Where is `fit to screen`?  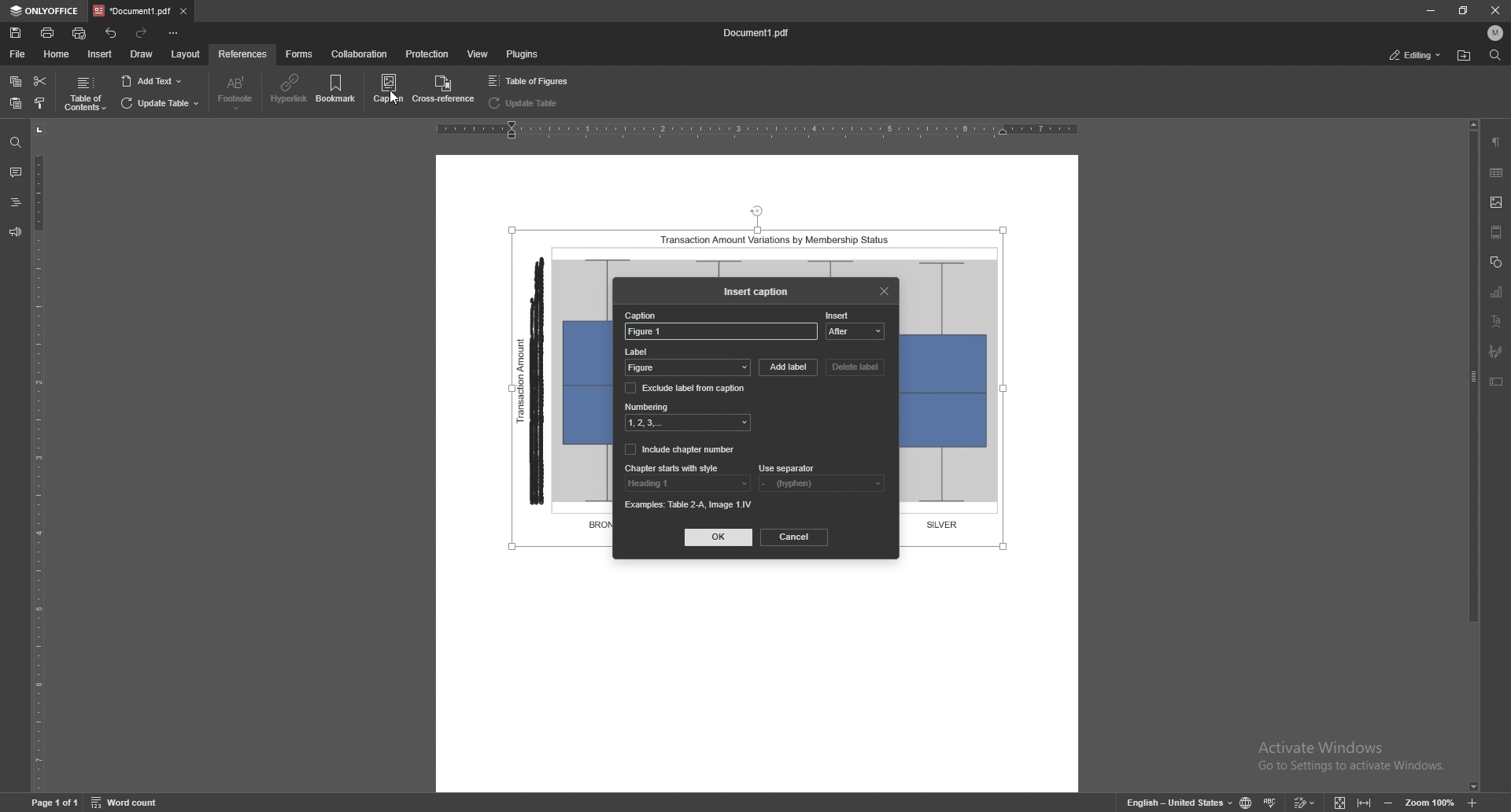 fit to screen is located at coordinates (1341, 801).